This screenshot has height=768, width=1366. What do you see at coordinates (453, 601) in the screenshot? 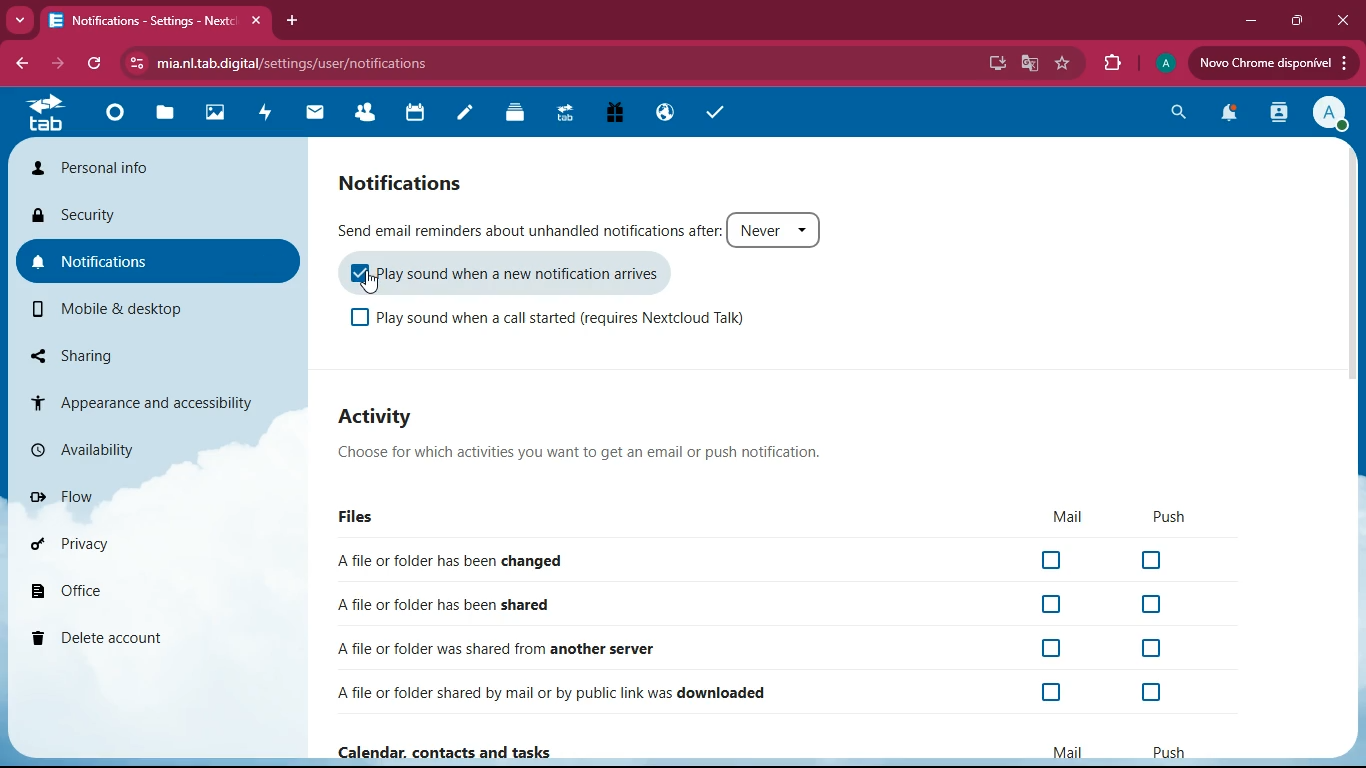
I see `shared` at bounding box center [453, 601].